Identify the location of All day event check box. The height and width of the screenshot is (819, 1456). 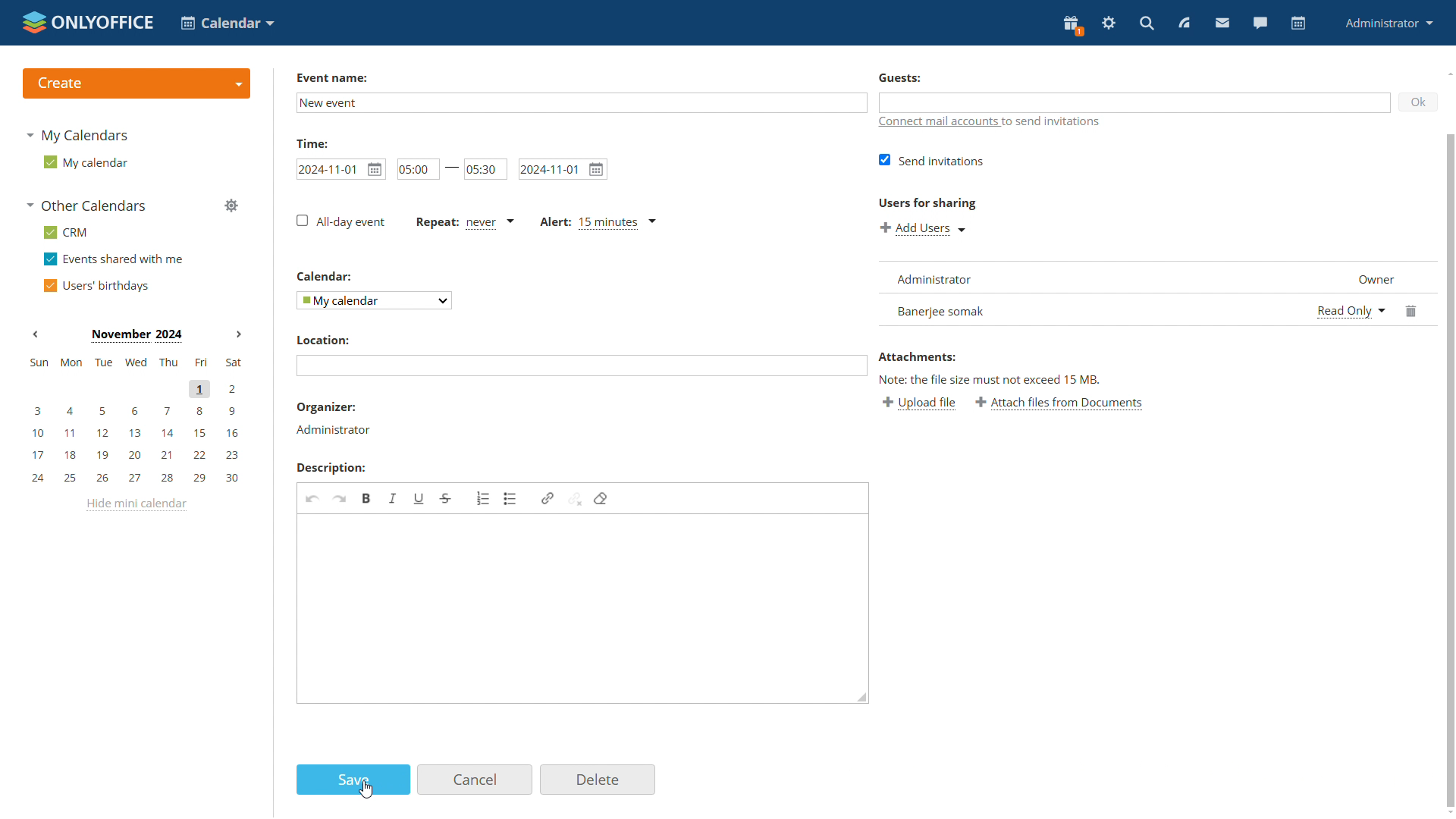
(340, 221).